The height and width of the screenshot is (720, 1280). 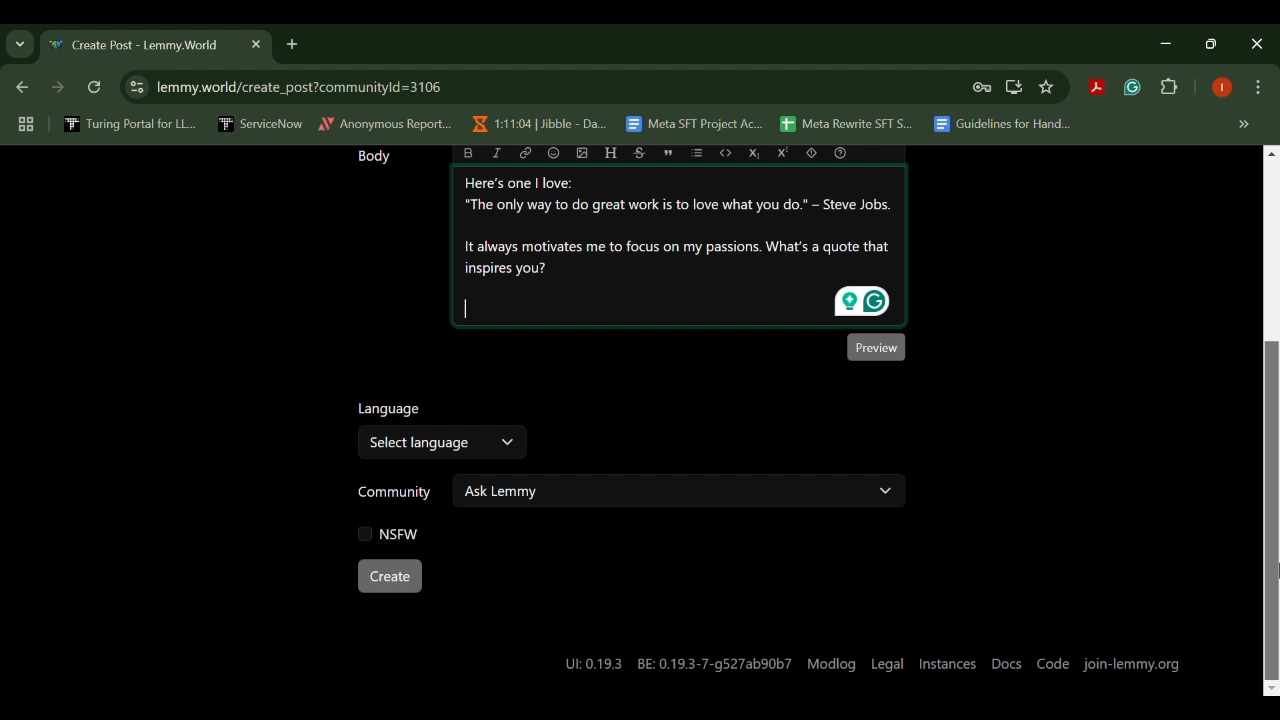 What do you see at coordinates (389, 577) in the screenshot?
I see `Create` at bounding box center [389, 577].